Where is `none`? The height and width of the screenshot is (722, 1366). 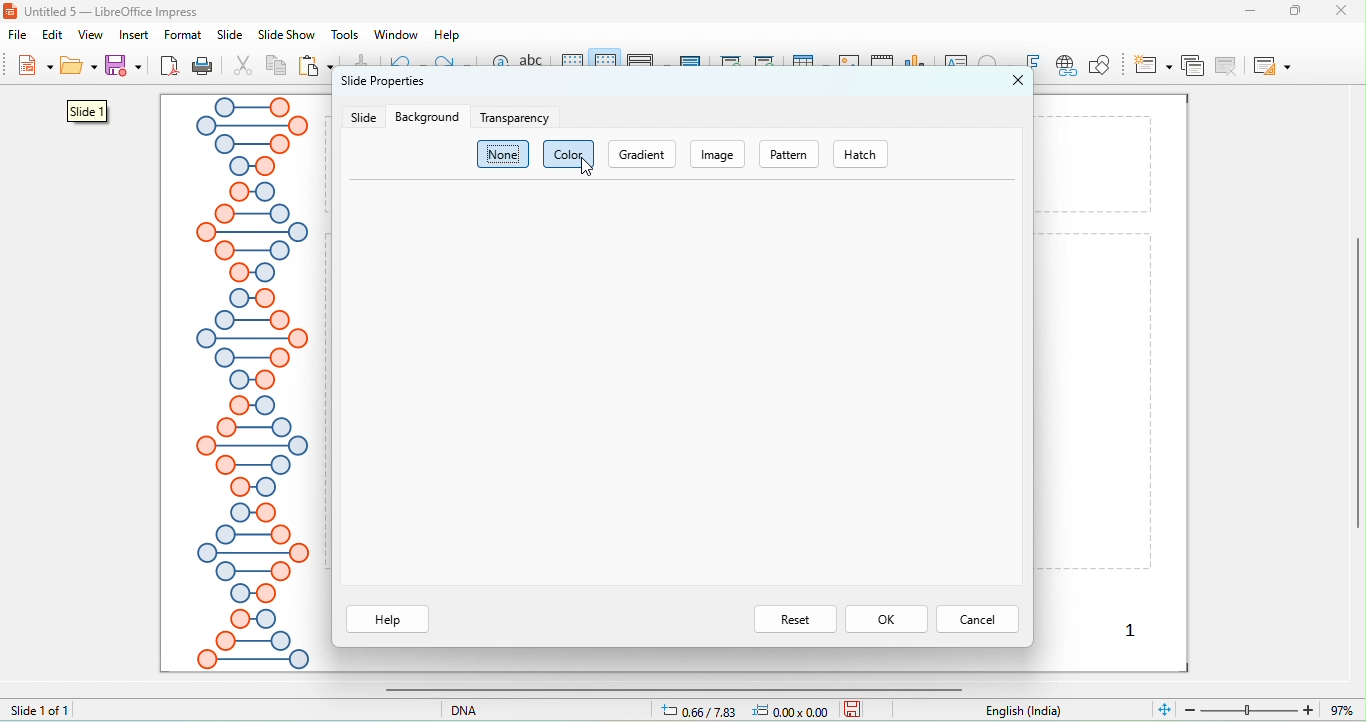
none is located at coordinates (504, 155).